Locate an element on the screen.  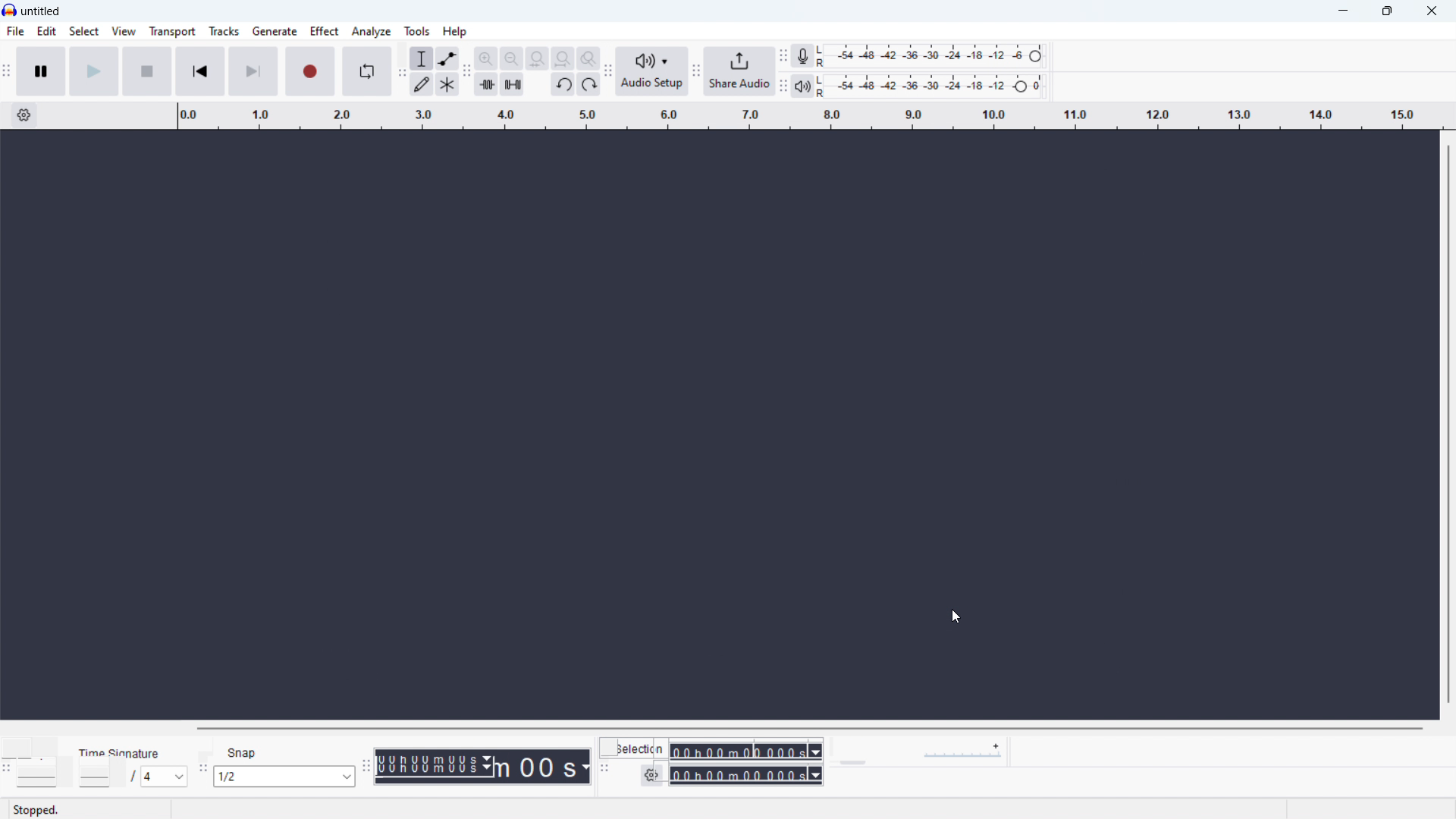
play at speed is located at coordinates (853, 752).